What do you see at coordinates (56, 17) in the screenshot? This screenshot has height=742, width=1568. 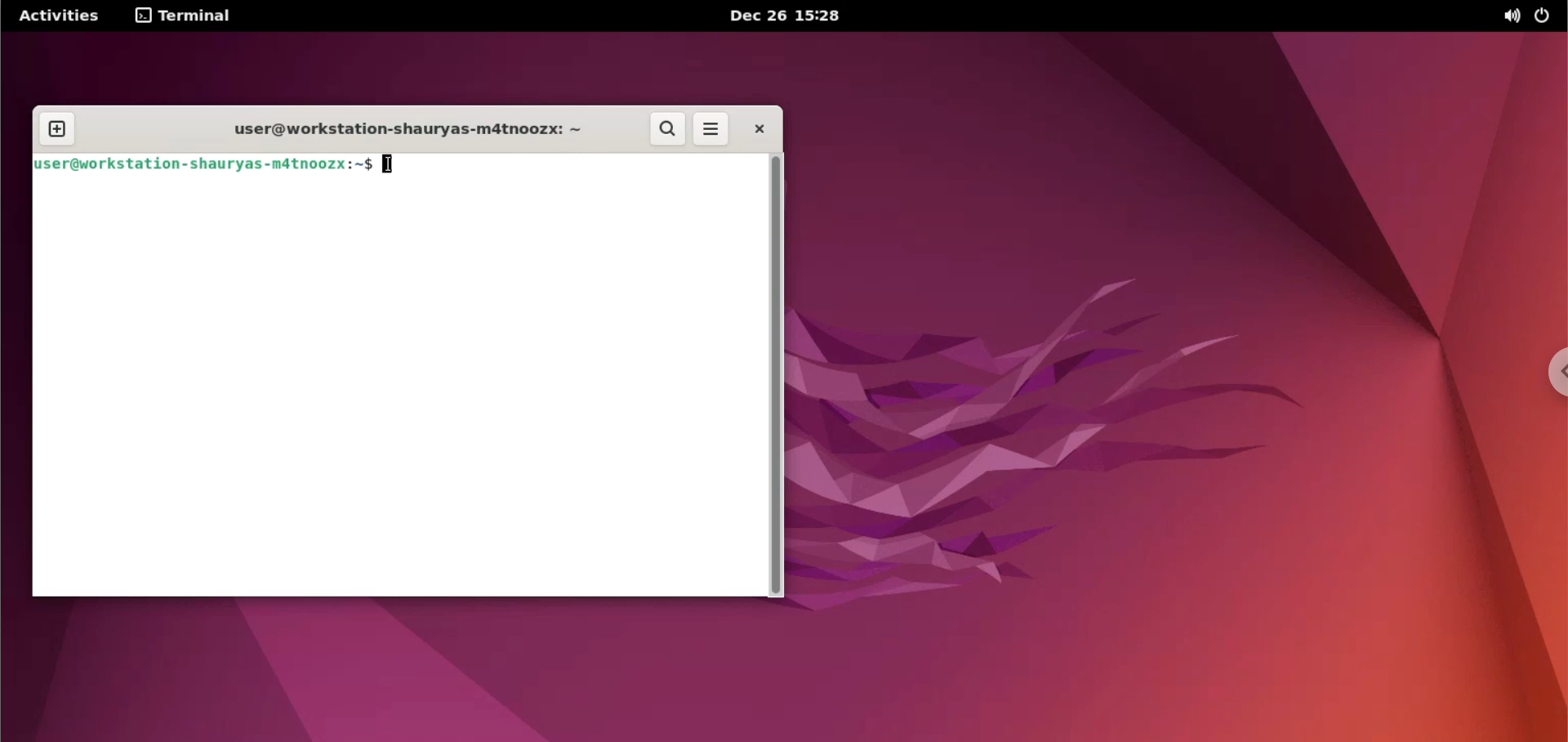 I see `Activities` at bounding box center [56, 17].